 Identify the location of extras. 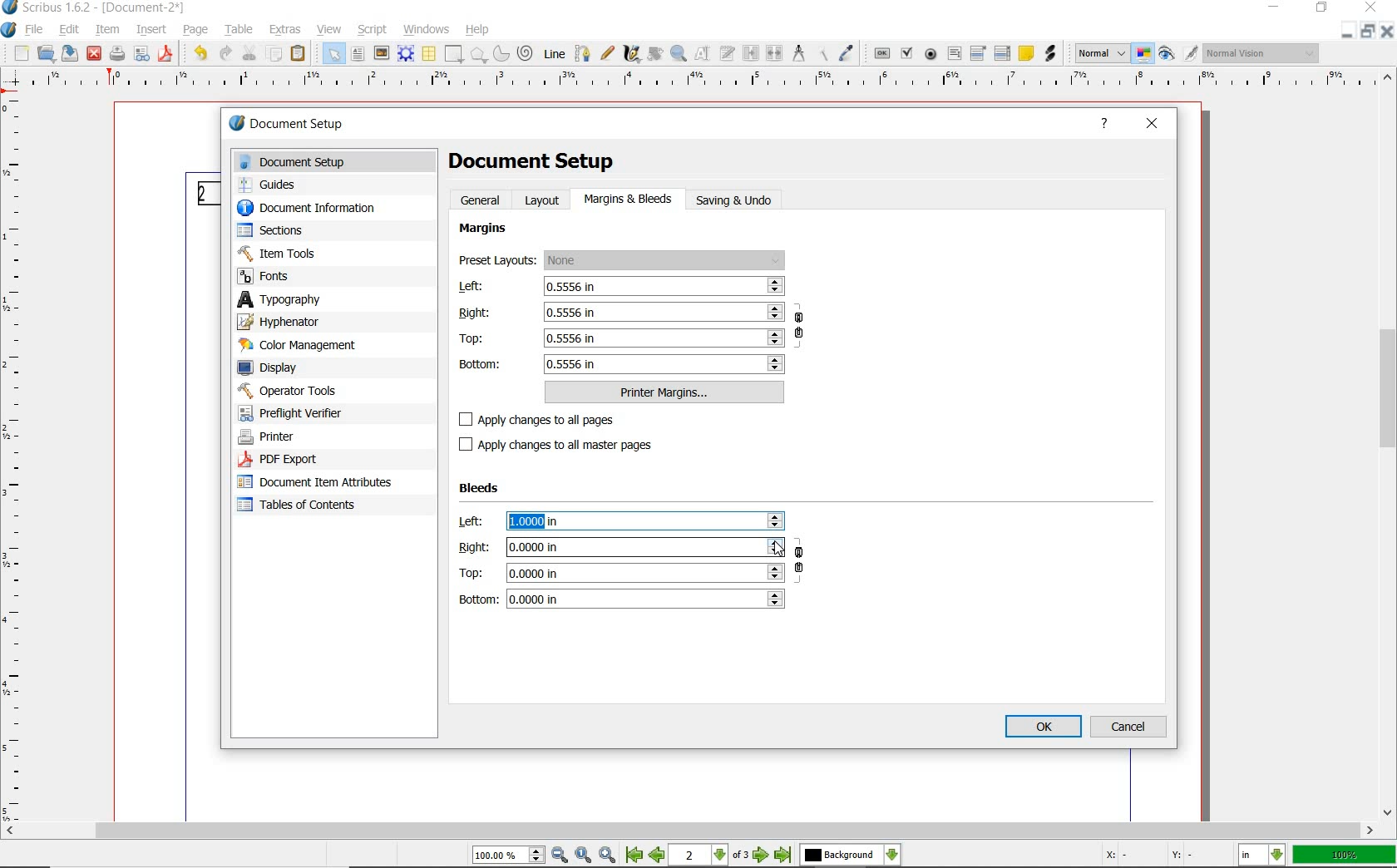
(285, 30).